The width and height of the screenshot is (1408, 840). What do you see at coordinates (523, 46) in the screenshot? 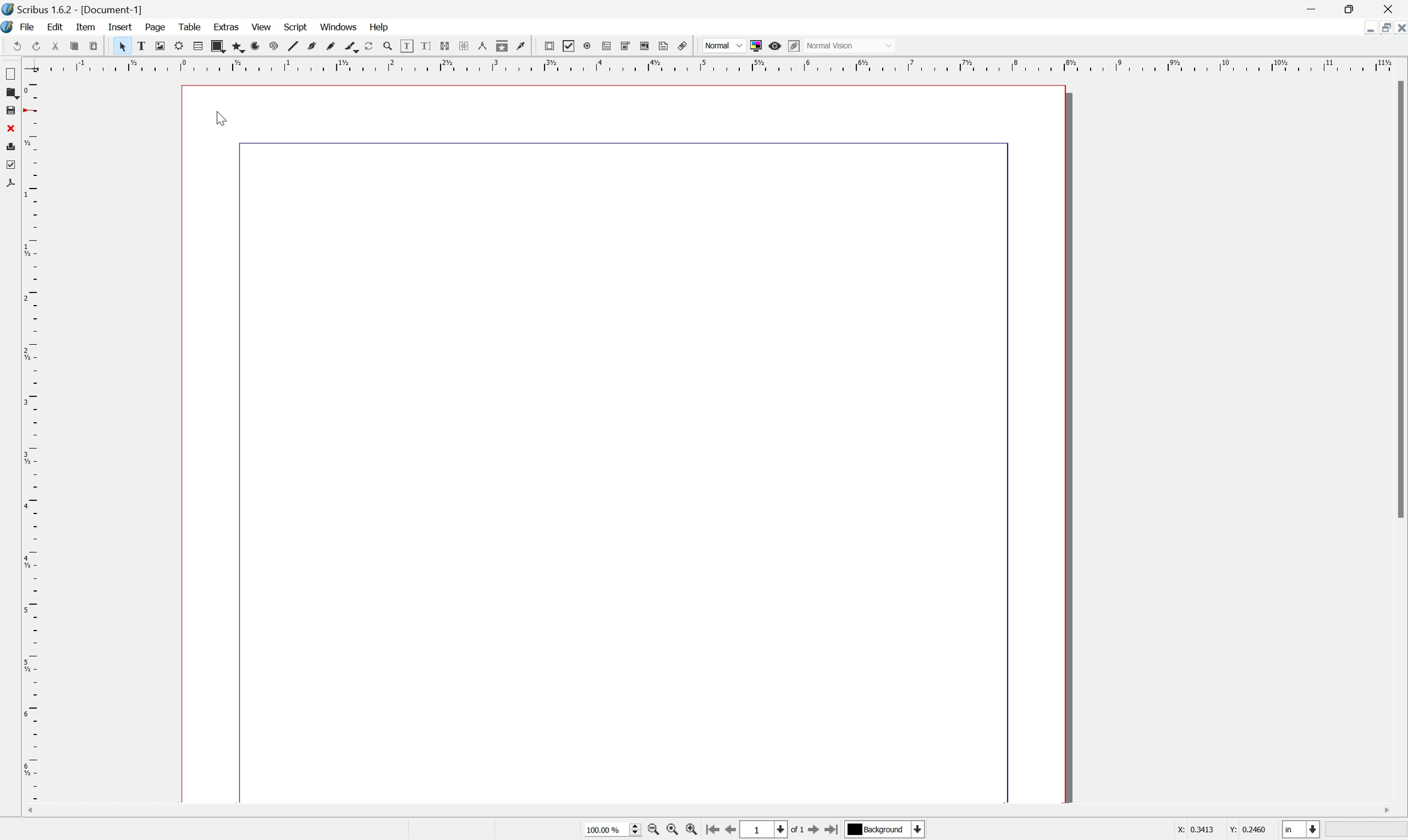
I see `Zoom in or zoom out` at bounding box center [523, 46].